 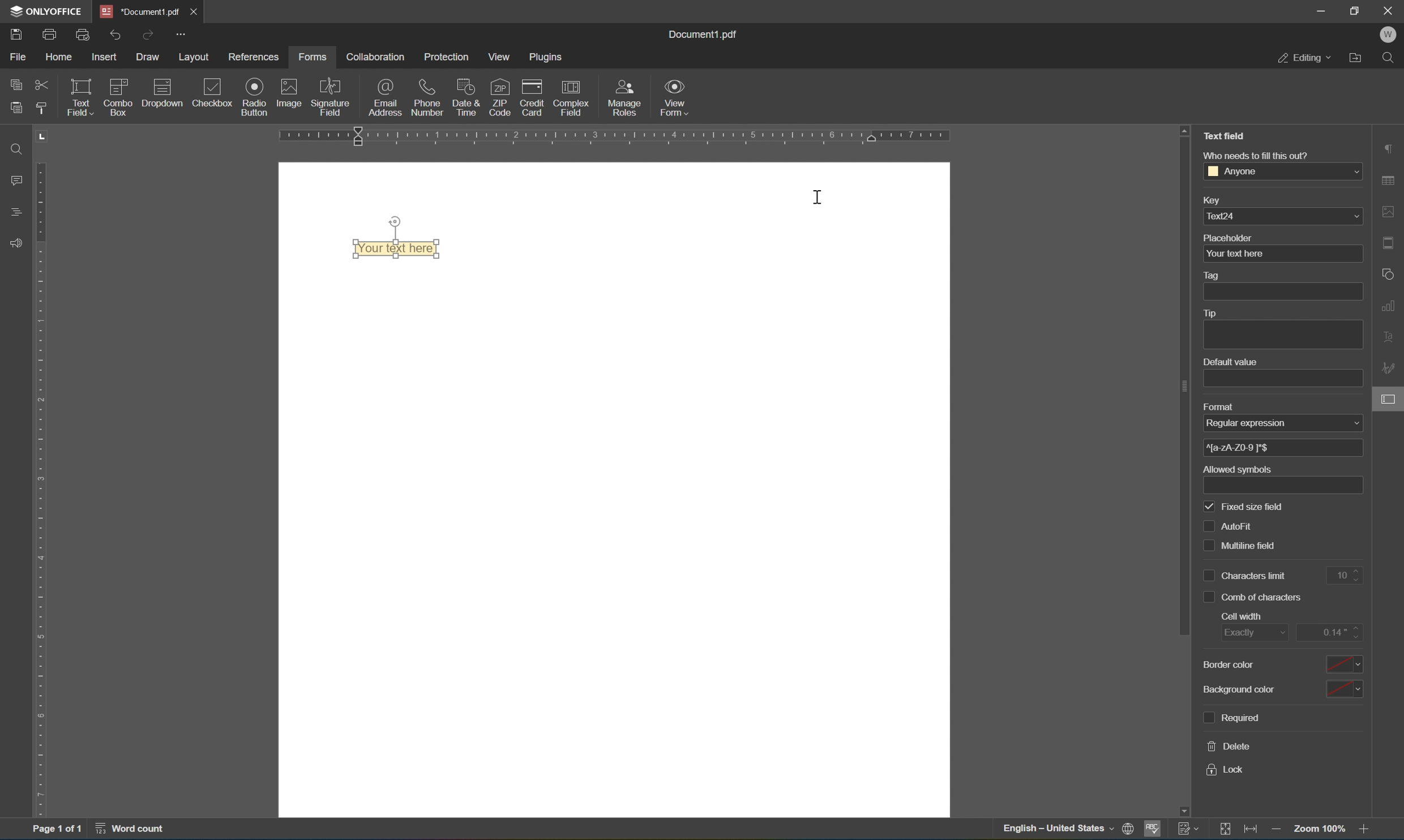 What do you see at coordinates (16, 244) in the screenshot?
I see `feedback and support` at bounding box center [16, 244].